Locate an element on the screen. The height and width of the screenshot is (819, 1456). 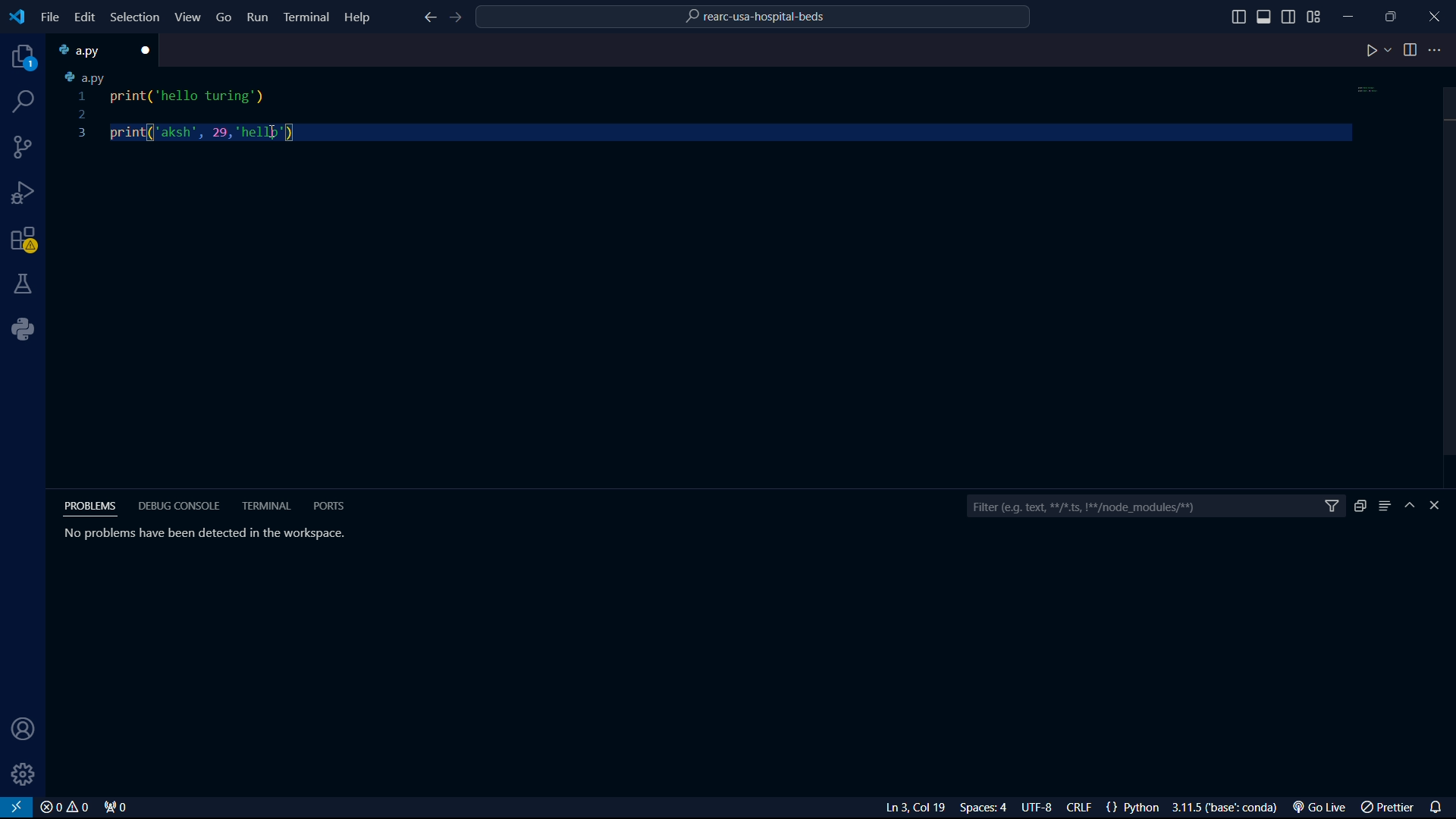
search is located at coordinates (25, 102).